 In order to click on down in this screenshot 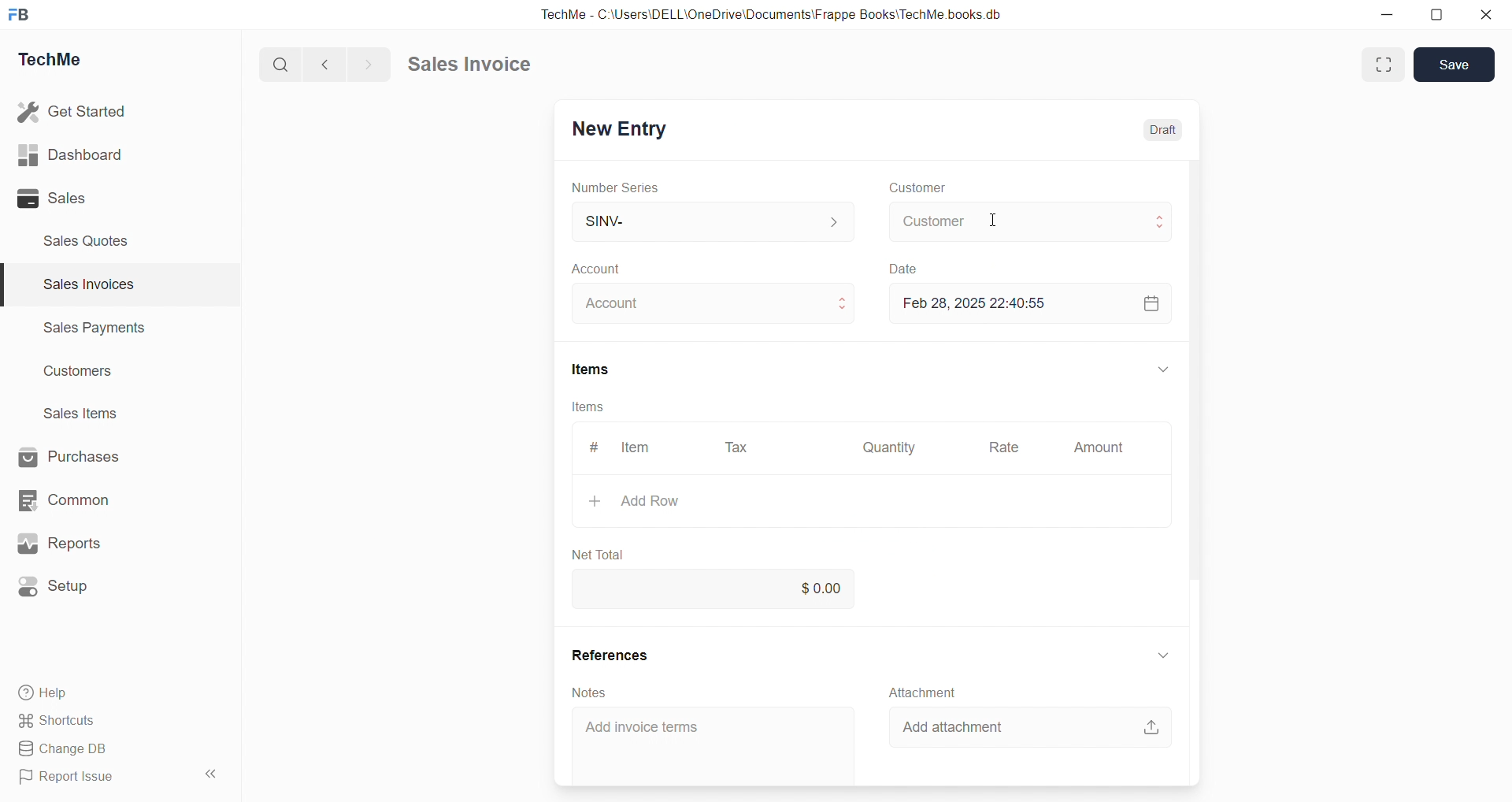, I will do `click(1162, 657)`.